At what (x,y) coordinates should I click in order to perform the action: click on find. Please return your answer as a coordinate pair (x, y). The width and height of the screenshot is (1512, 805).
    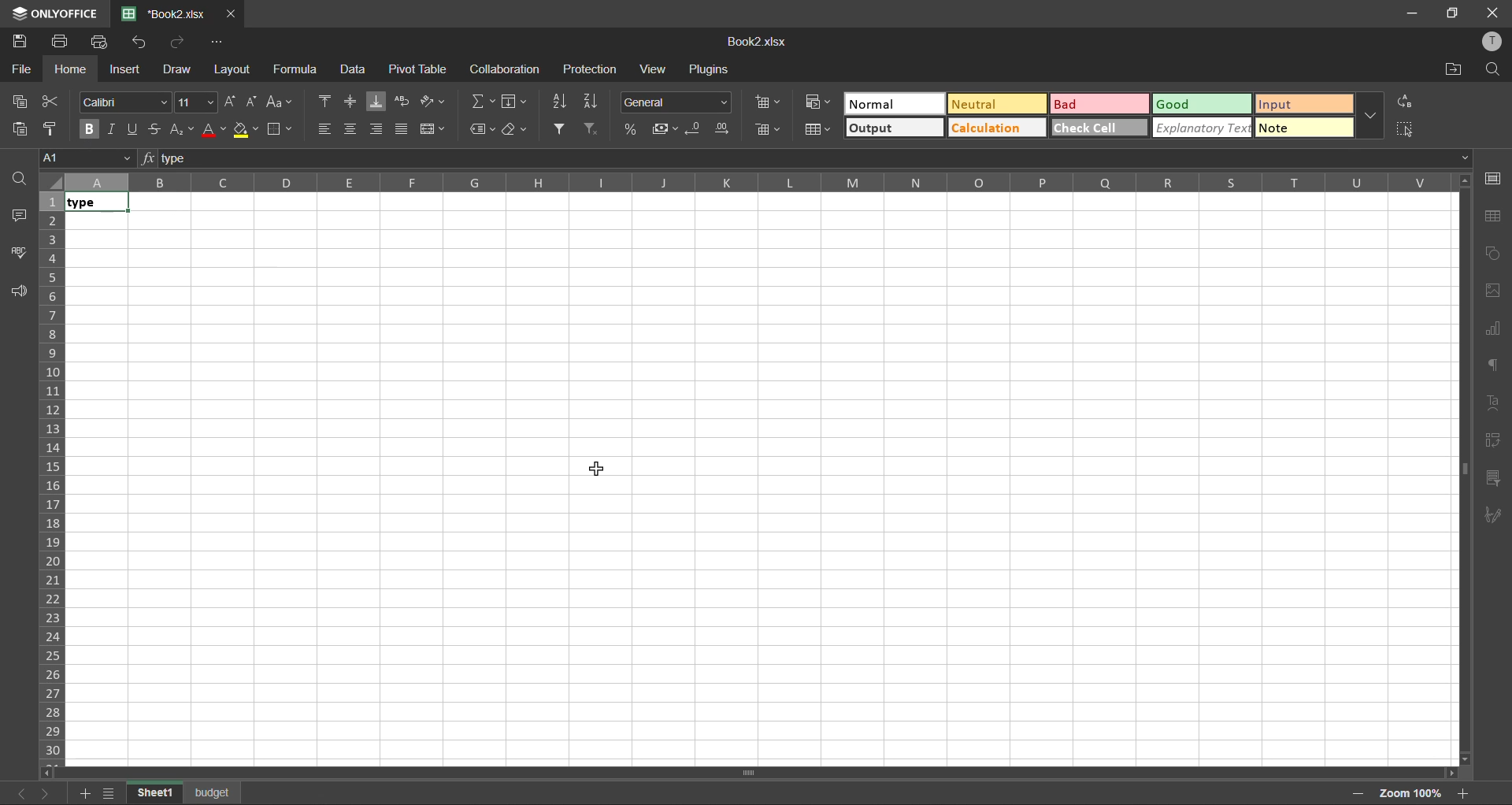
    Looking at the image, I should click on (20, 178).